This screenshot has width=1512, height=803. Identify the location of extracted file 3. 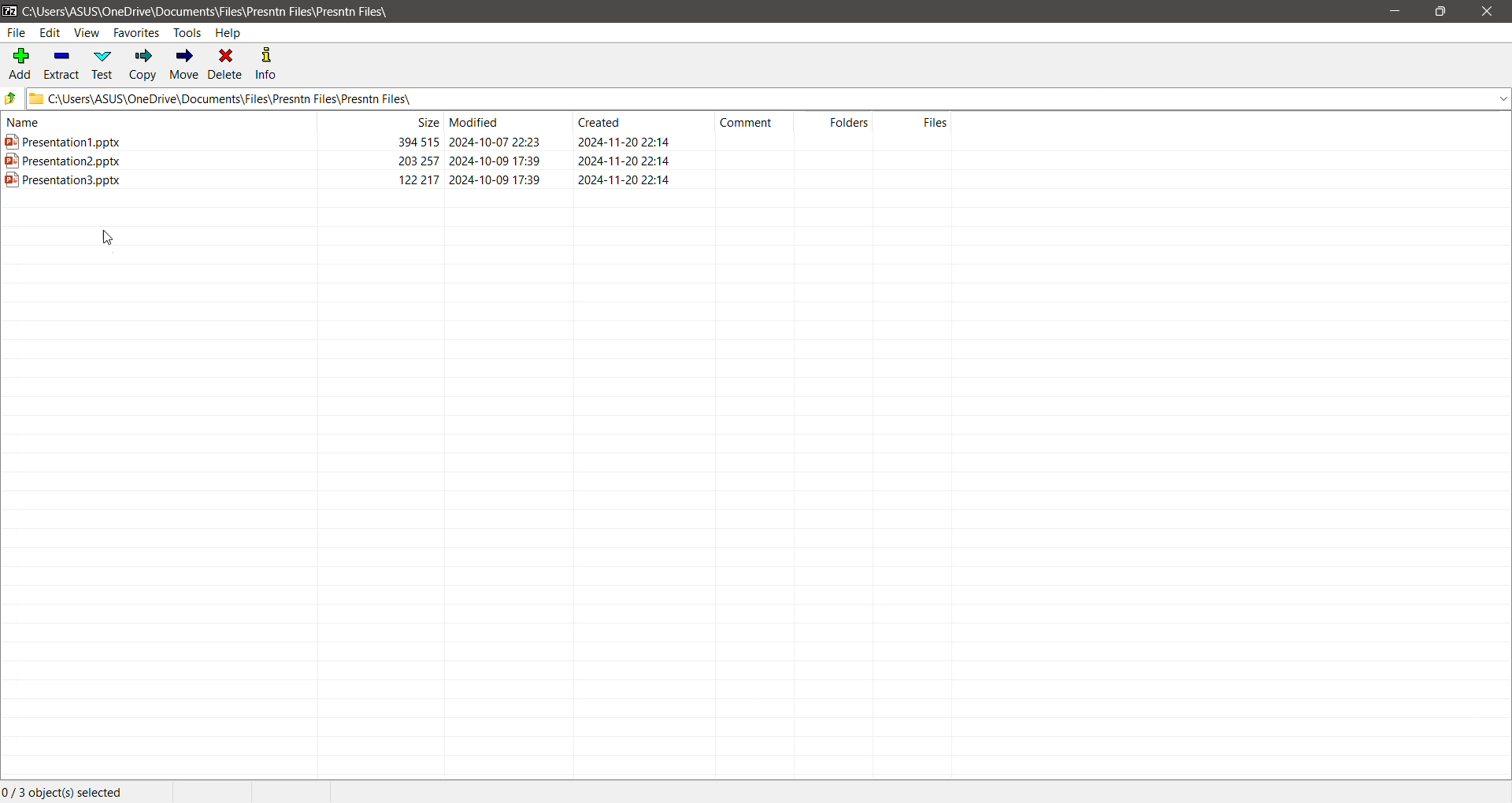
(64, 179).